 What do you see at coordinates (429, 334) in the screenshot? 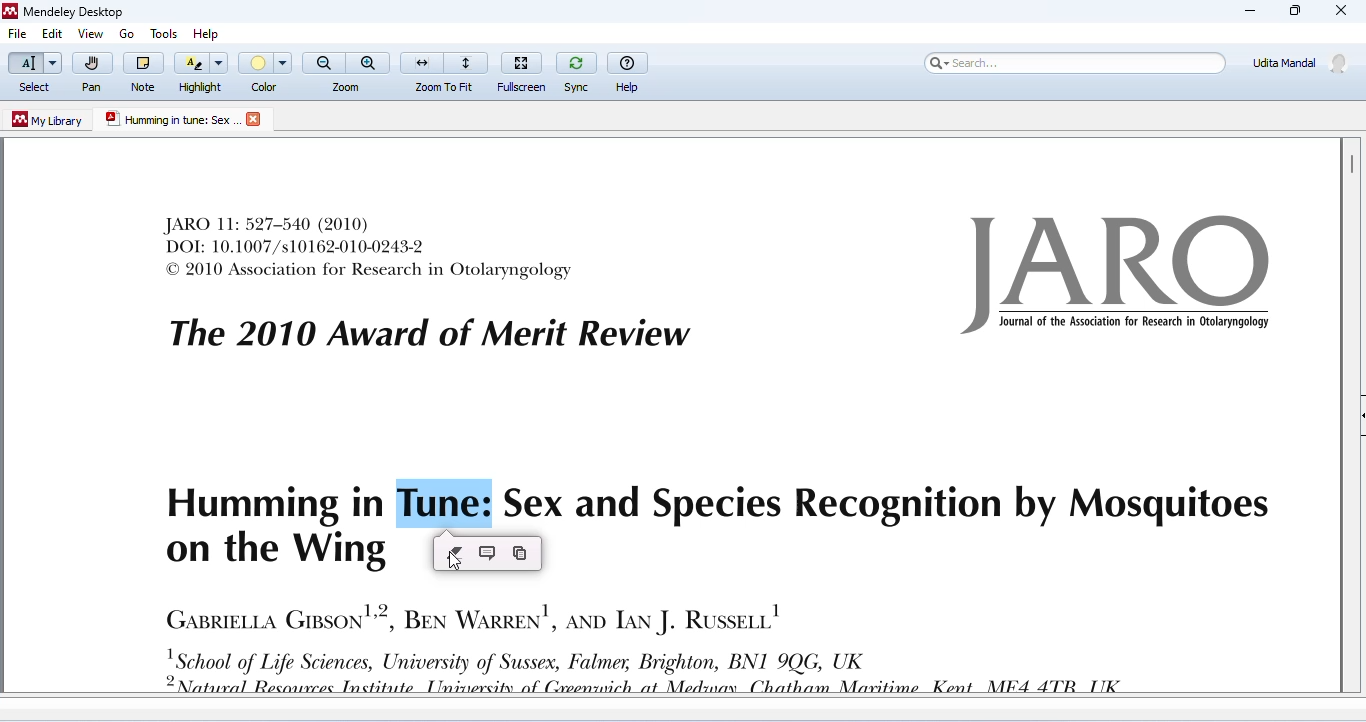
I see `The 2010 Award of Merit Review` at bounding box center [429, 334].